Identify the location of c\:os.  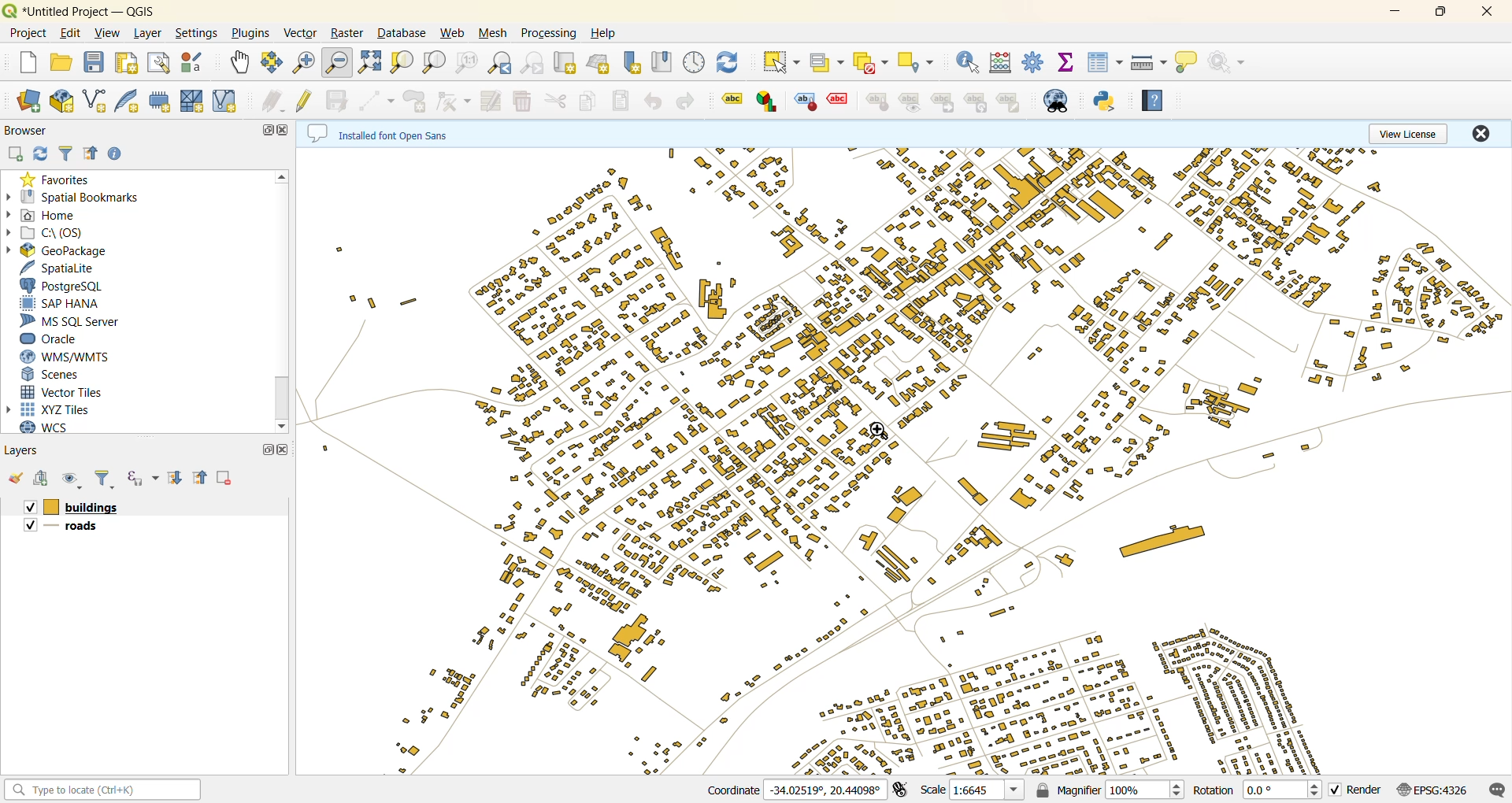
(53, 234).